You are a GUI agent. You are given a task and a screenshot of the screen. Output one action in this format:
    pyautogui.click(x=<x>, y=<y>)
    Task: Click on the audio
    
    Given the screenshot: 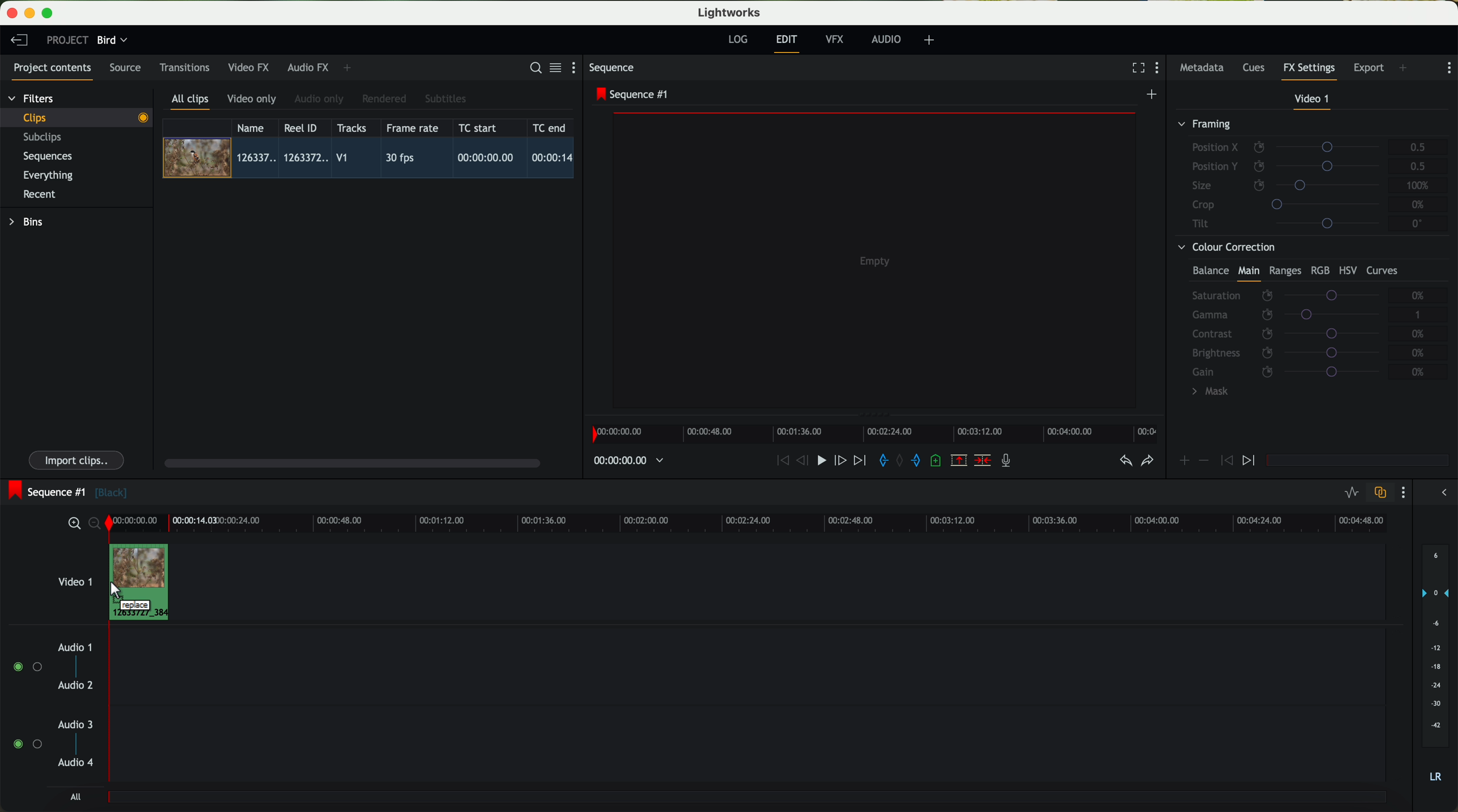 What is the action you would take?
    pyautogui.click(x=886, y=39)
    